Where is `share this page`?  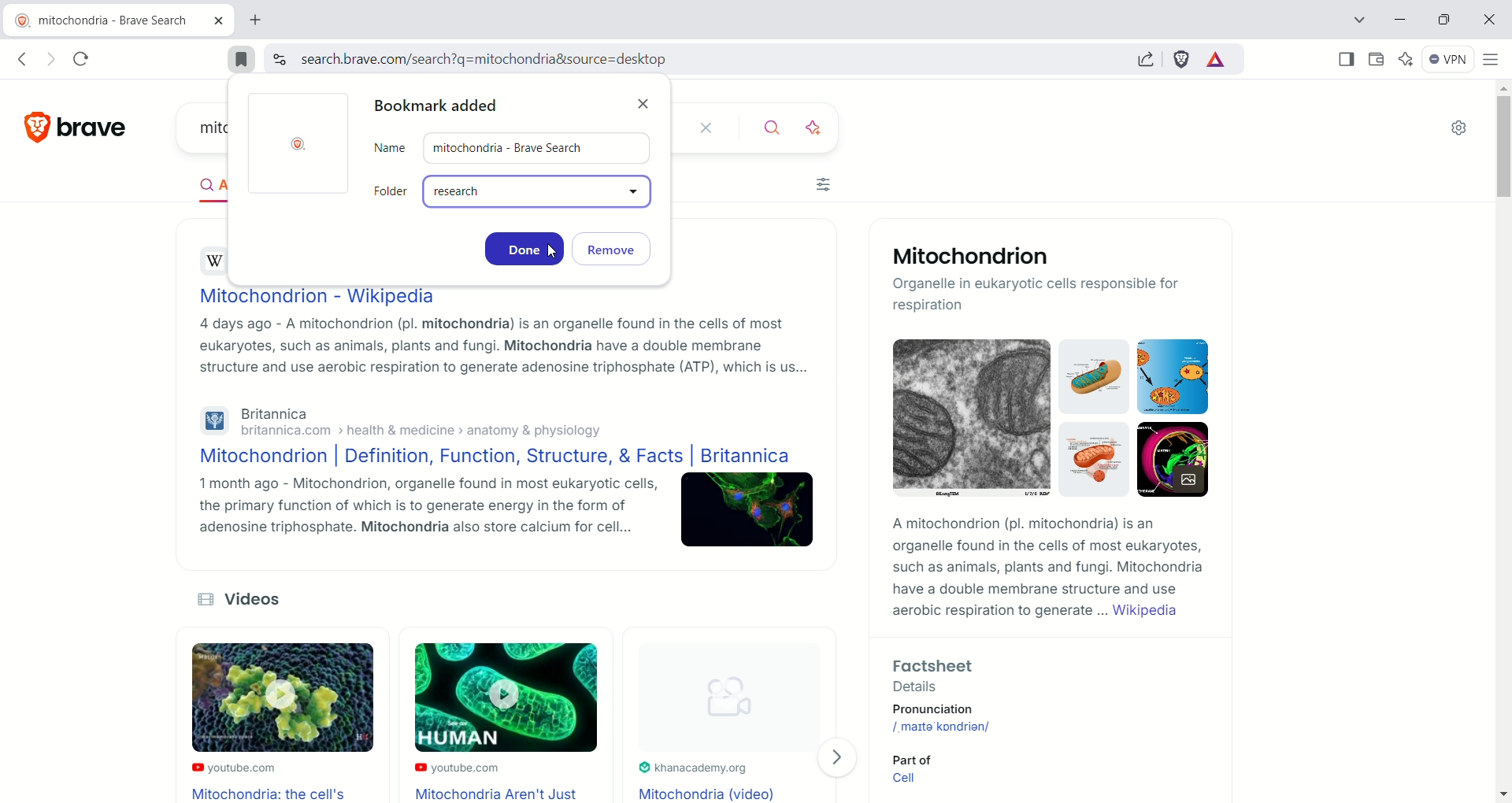 share this page is located at coordinates (1151, 60).